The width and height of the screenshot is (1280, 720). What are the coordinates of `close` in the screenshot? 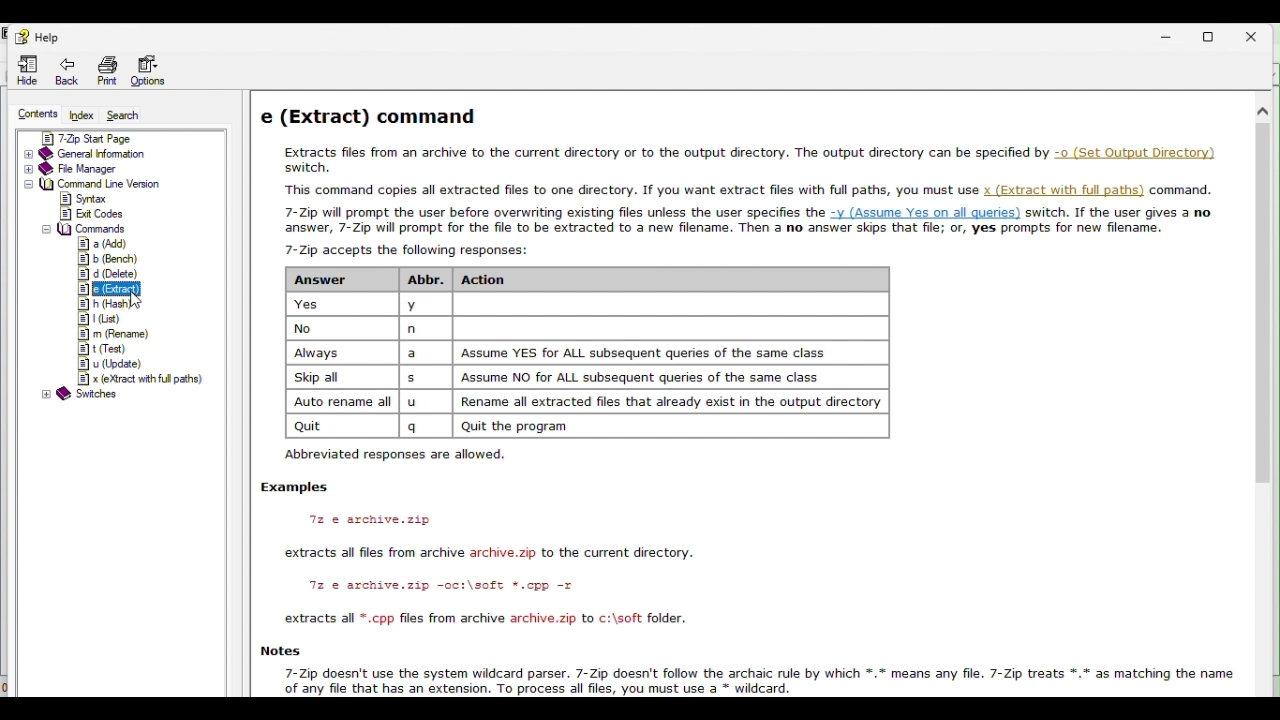 It's located at (1260, 33).